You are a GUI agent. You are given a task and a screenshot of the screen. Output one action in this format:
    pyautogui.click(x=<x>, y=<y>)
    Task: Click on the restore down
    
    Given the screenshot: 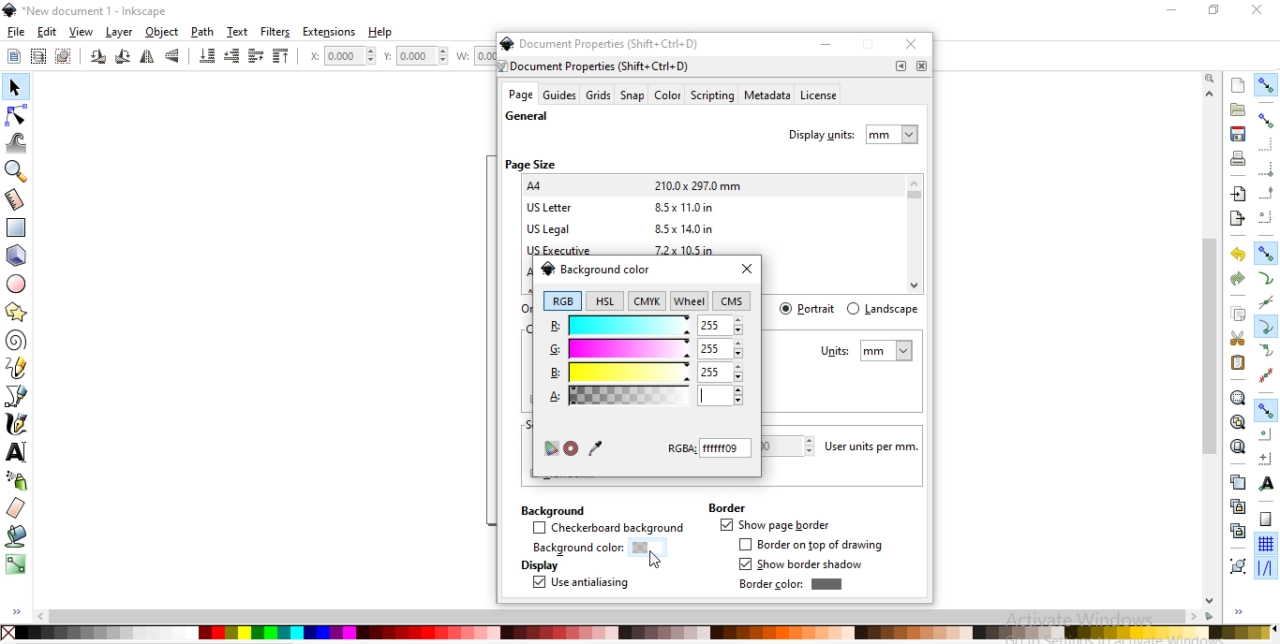 What is the action you would take?
    pyautogui.click(x=1210, y=9)
    